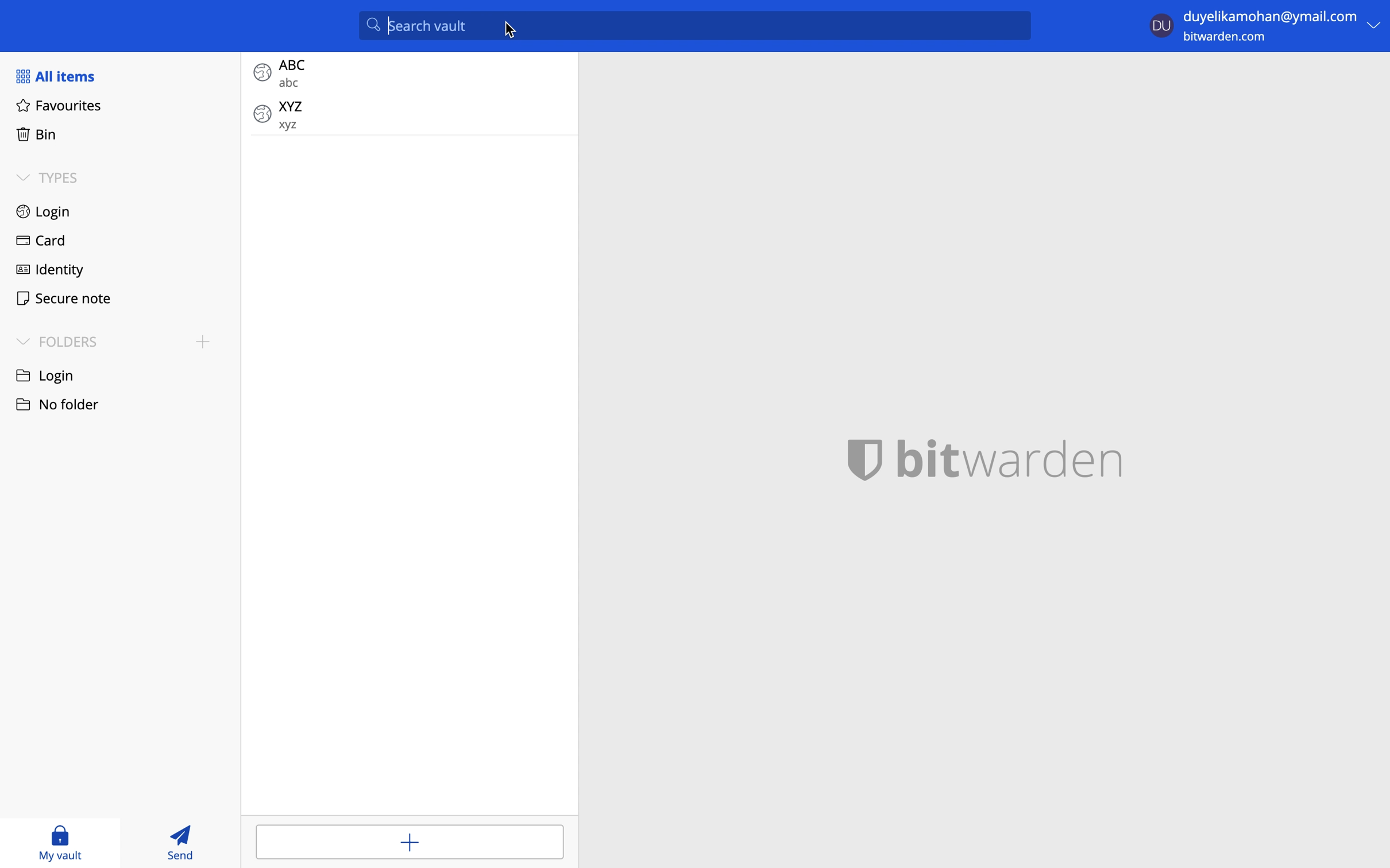  I want to click on favourites, so click(60, 107).